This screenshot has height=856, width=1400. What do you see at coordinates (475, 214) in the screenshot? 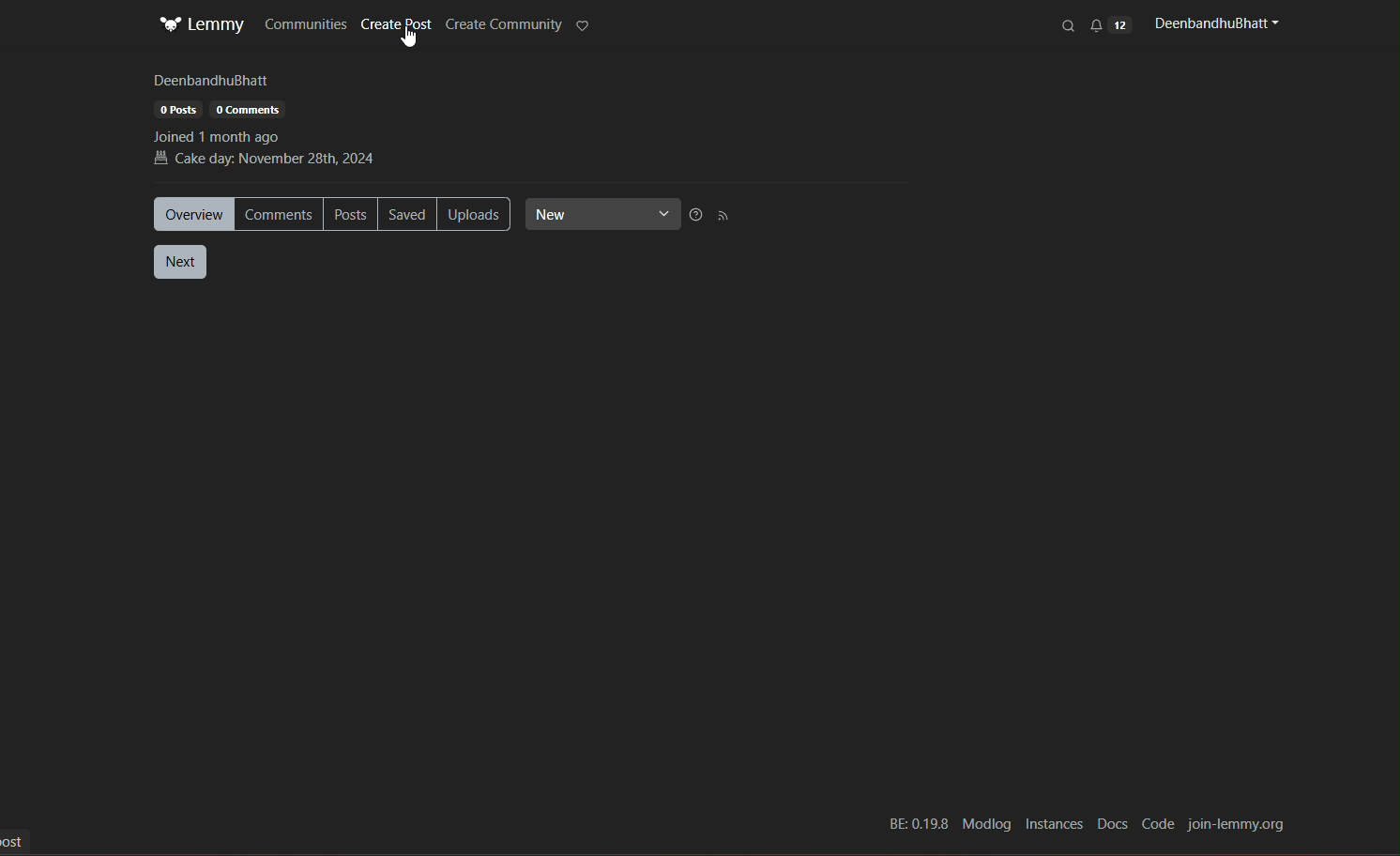
I see `Uploads` at bounding box center [475, 214].